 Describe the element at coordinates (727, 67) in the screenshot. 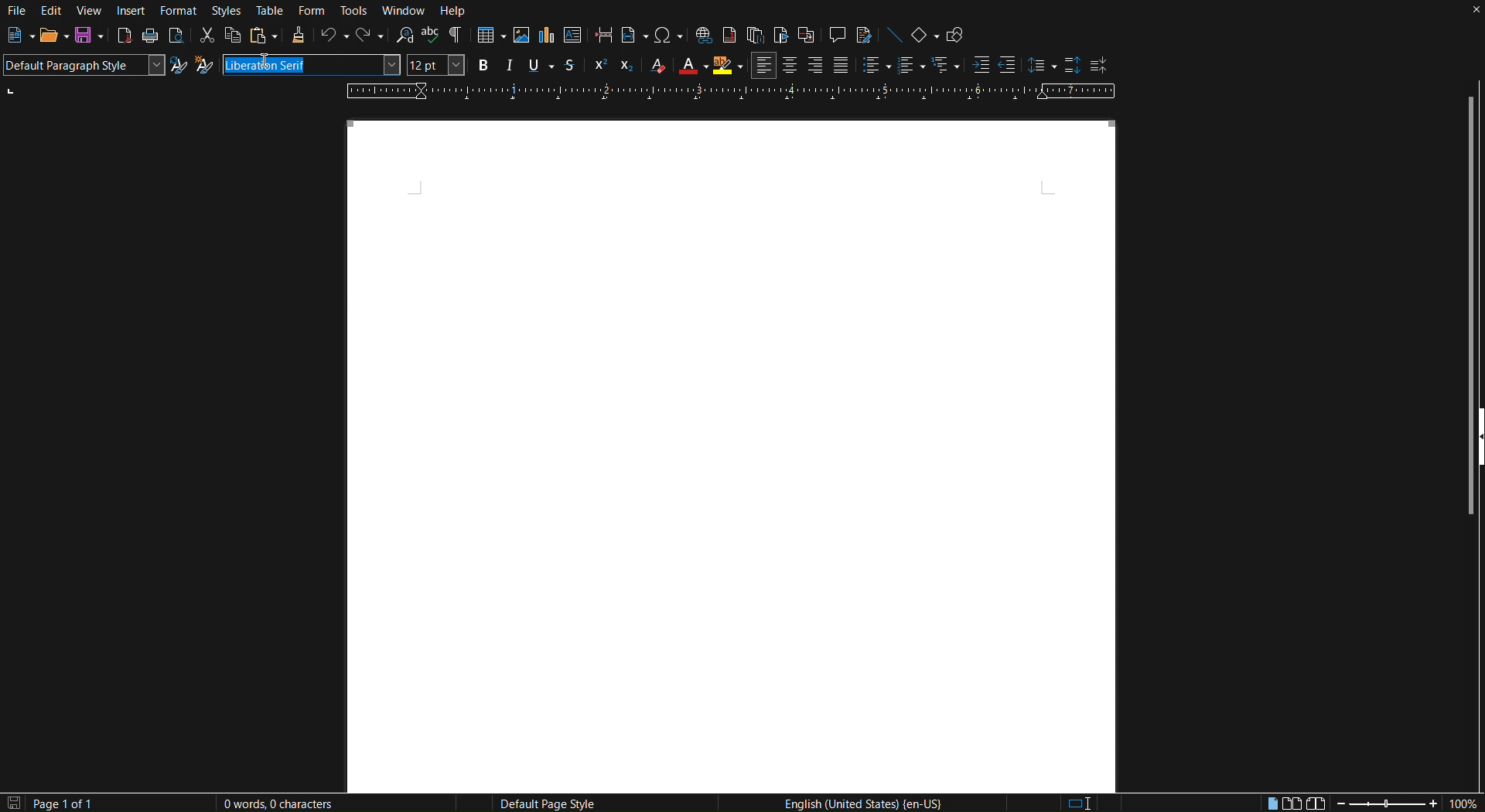

I see `Highlight Color` at that location.